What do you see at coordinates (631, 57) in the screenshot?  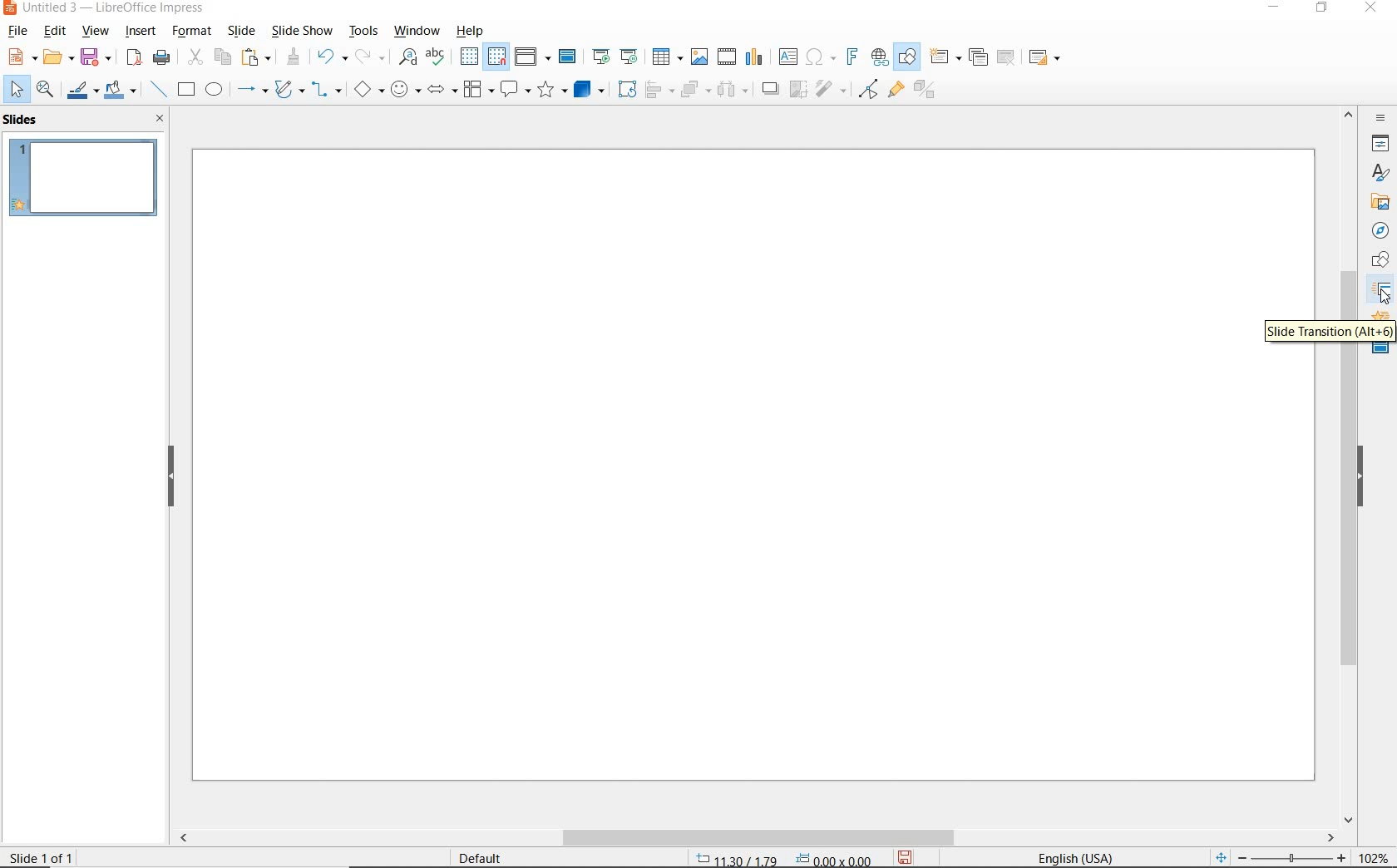 I see `START FROM CURRENT SLIDE` at bounding box center [631, 57].